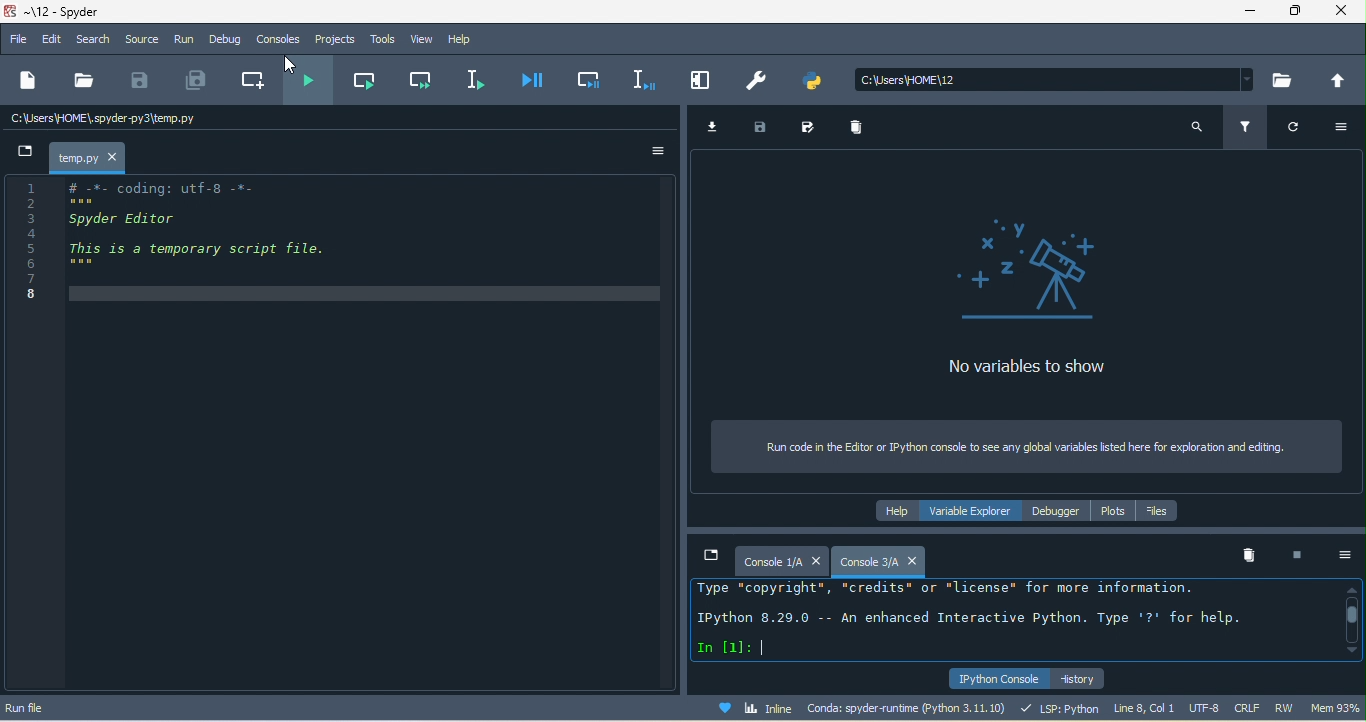 This screenshot has width=1366, height=722. What do you see at coordinates (645, 81) in the screenshot?
I see `debug selection` at bounding box center [645, 81].